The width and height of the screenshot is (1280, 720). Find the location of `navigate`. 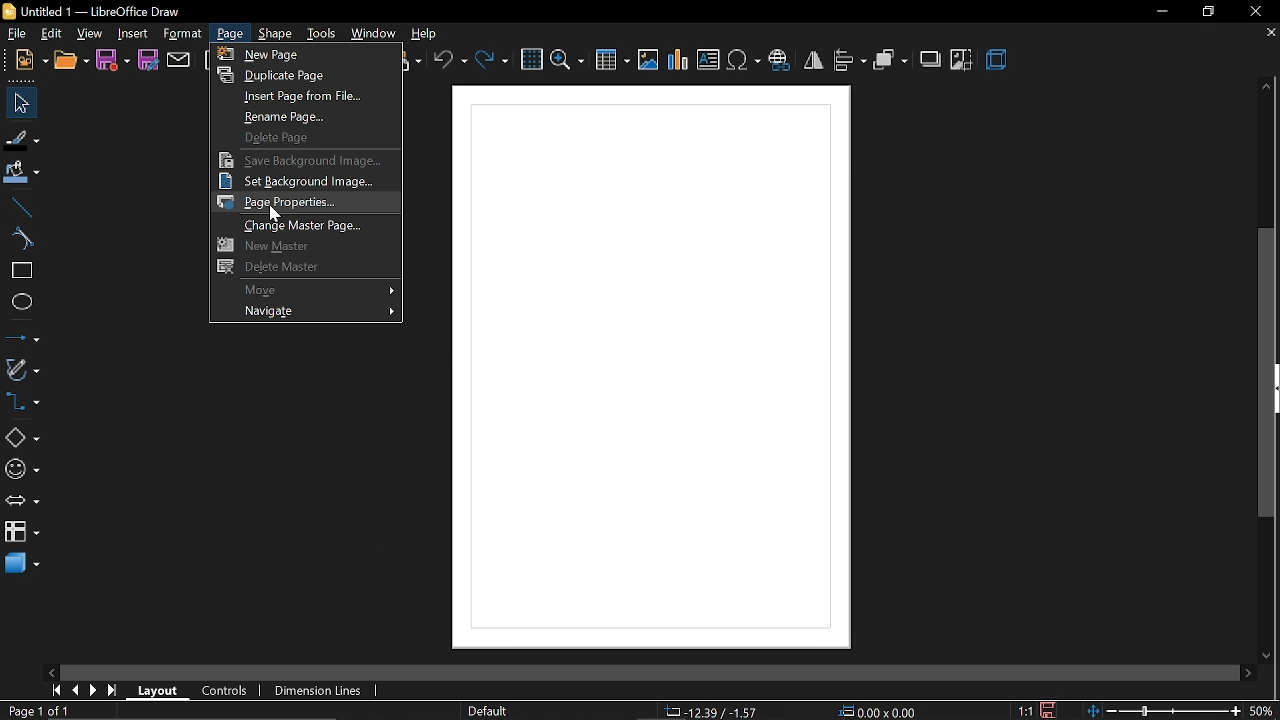

navigate is located at coordinates (306, 314).